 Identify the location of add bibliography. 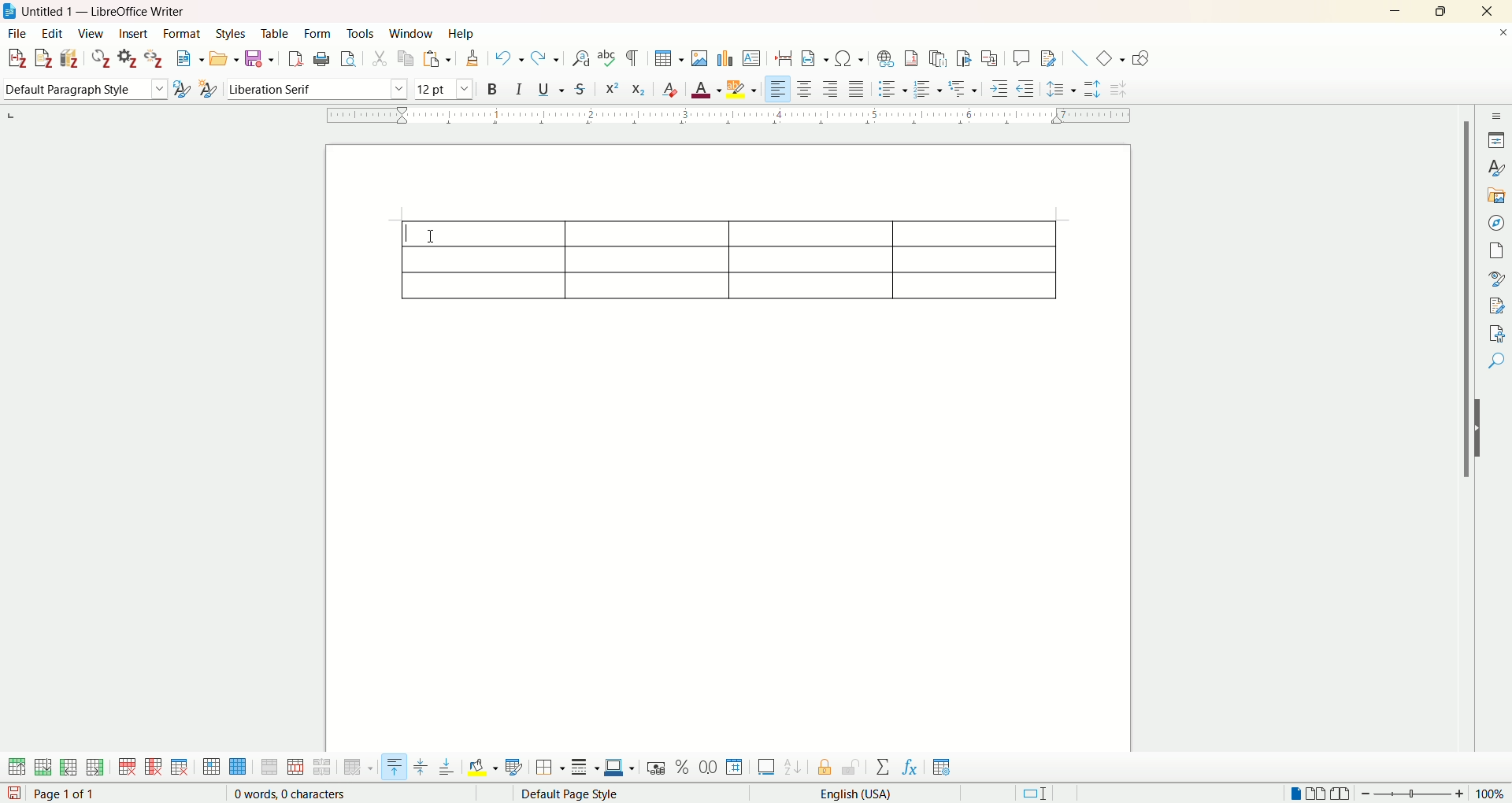
(69, 57).